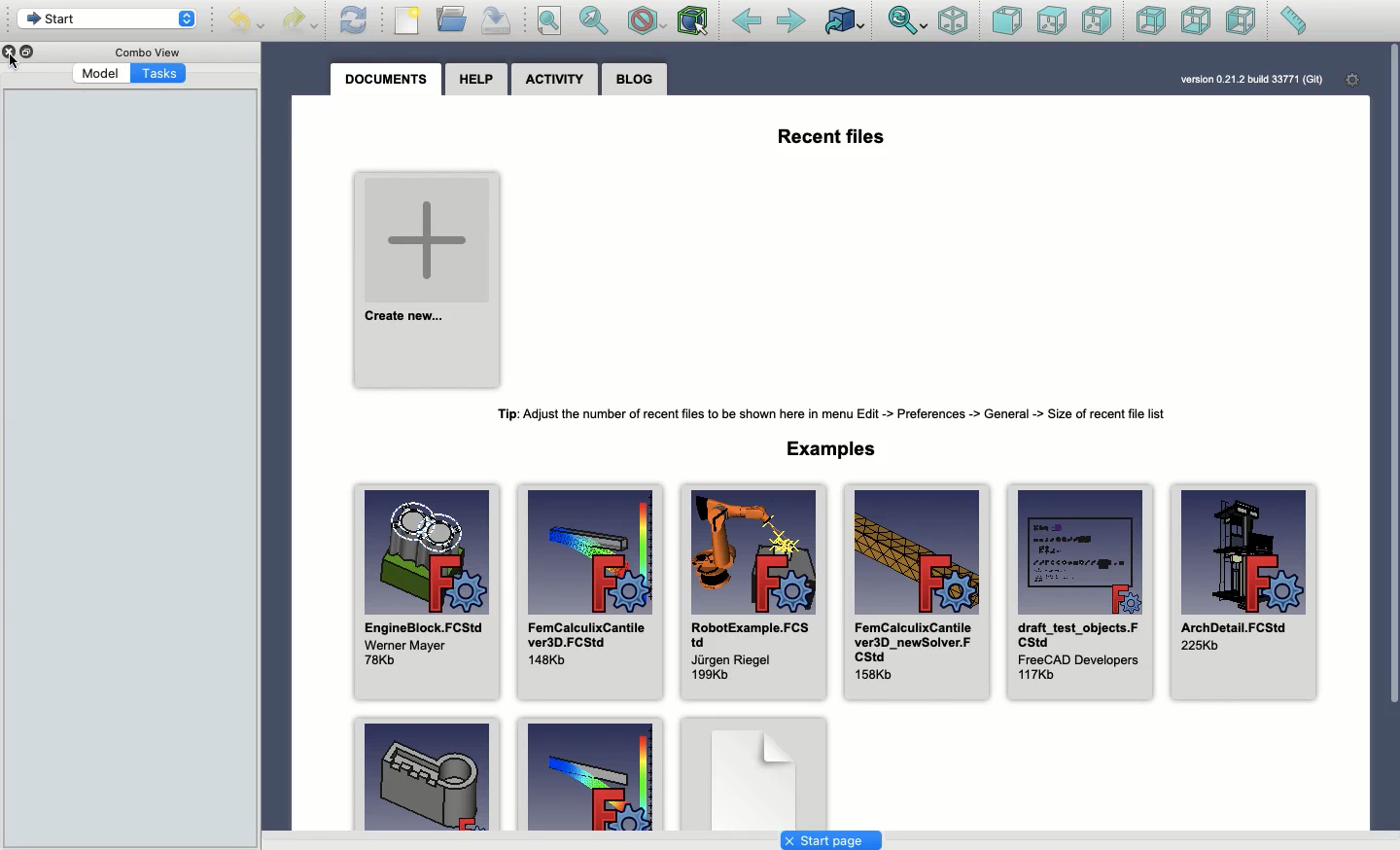  Describe the element at coordinates (408, 20) in the screenshot. I see `New` at that location.